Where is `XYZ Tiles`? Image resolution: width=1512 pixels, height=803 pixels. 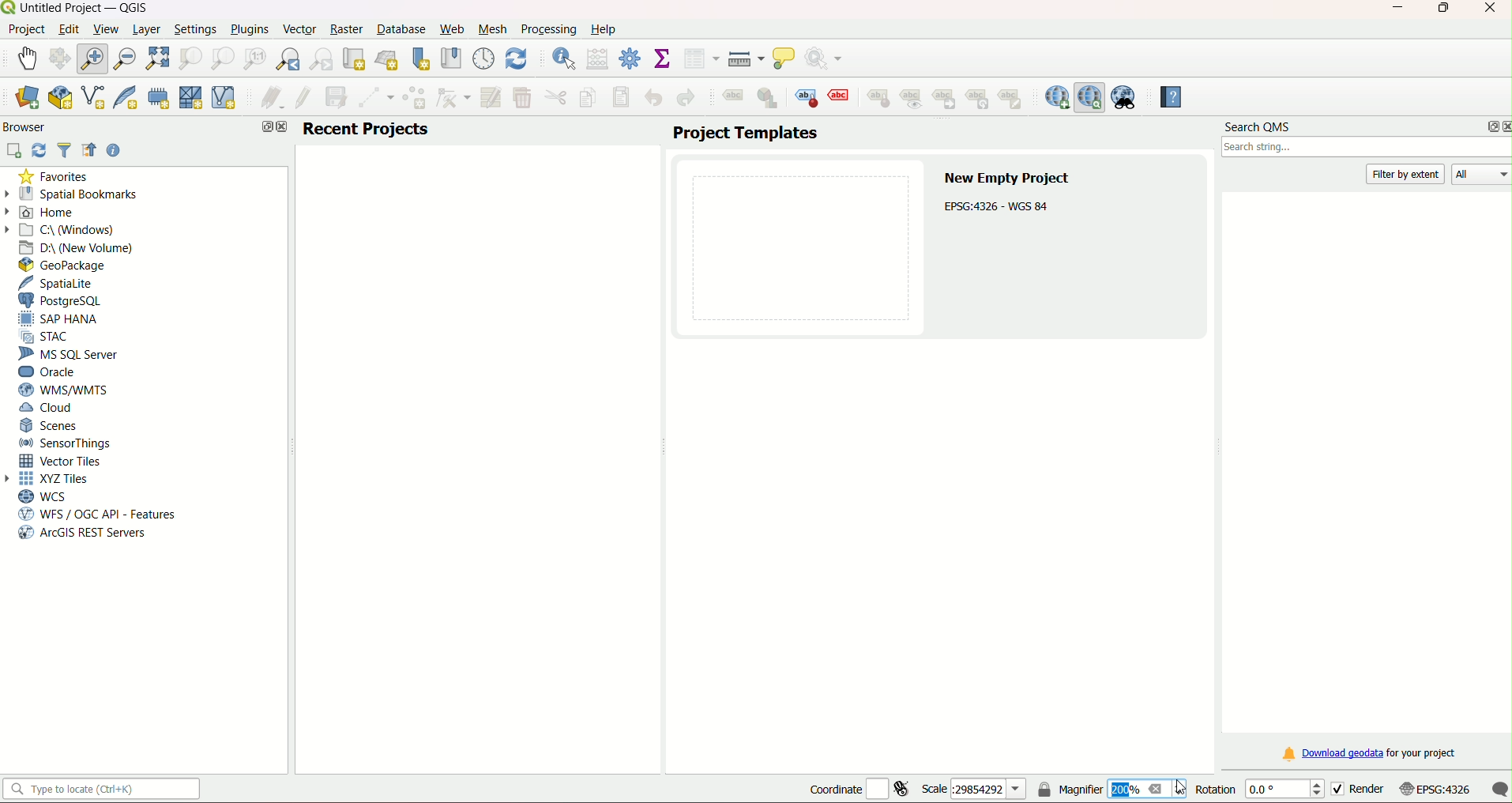 XYZ Tiles is located at coordinates (58, 480).